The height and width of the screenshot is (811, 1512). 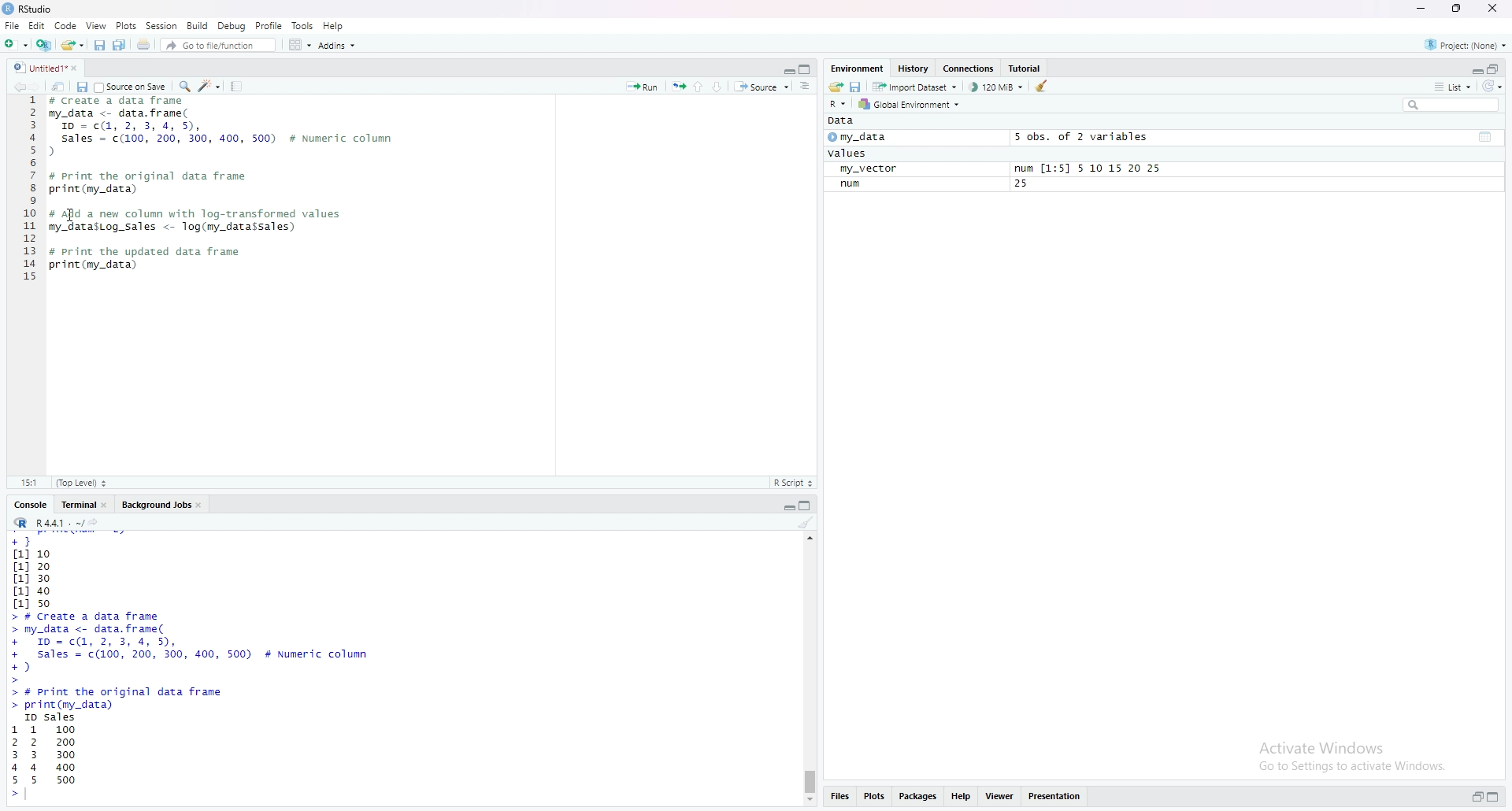 What do you see at coordinates (1499, 68) in the screenshot?
I see `maximize` at bounding box center [1499, 68].